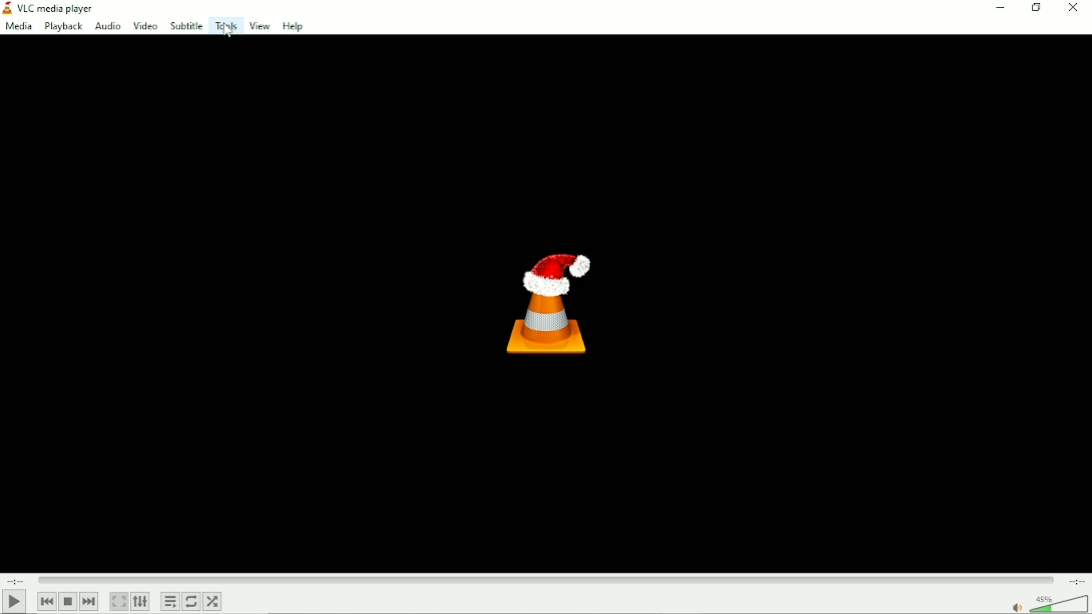  I want to click on Toggle between loop all, loop one and no loop, so click(191, 601).